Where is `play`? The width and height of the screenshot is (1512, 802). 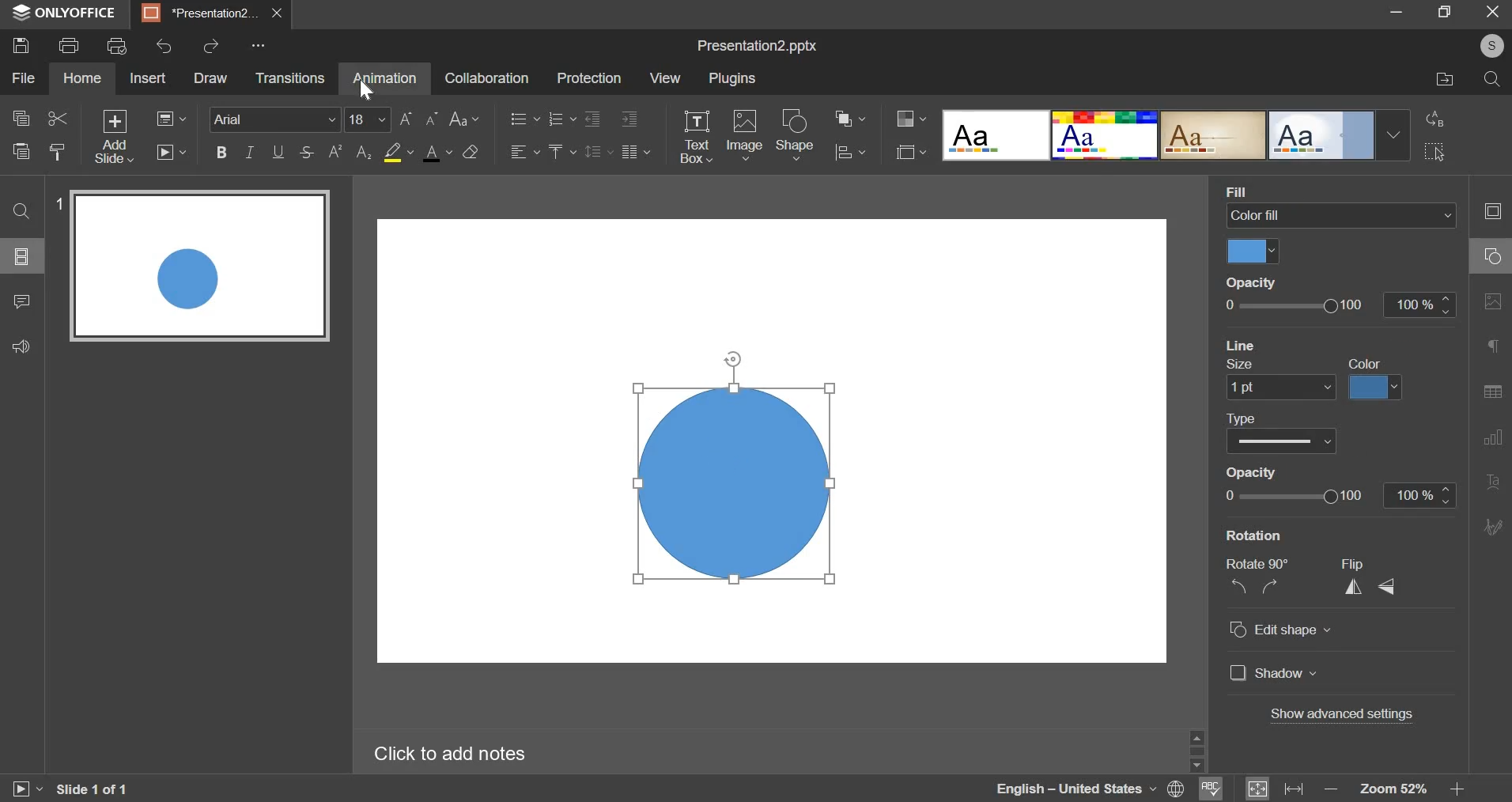 play is located at coordinates (20, 788).